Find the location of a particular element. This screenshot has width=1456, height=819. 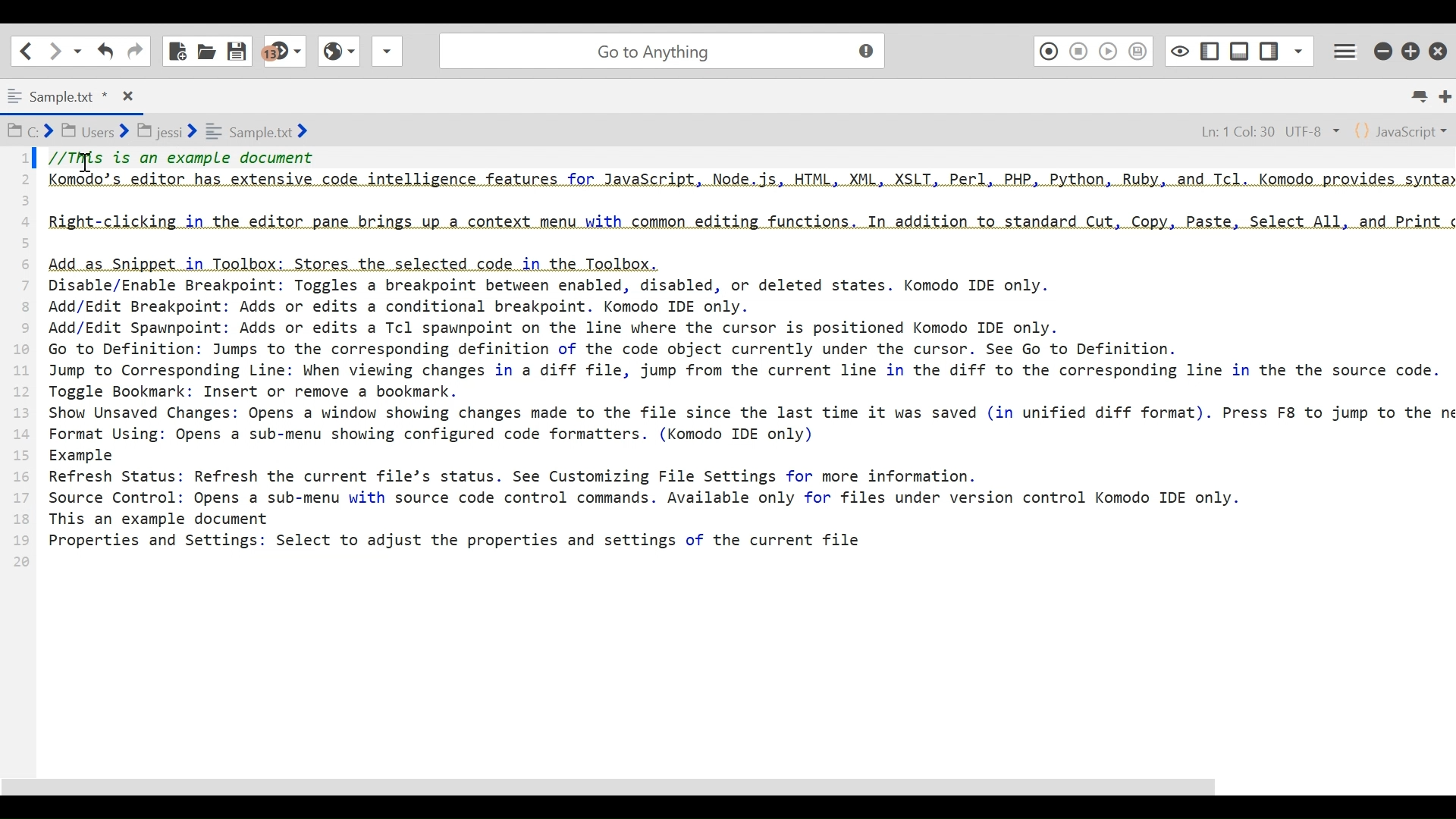

Application menu is located at coordinates (1348, 49).